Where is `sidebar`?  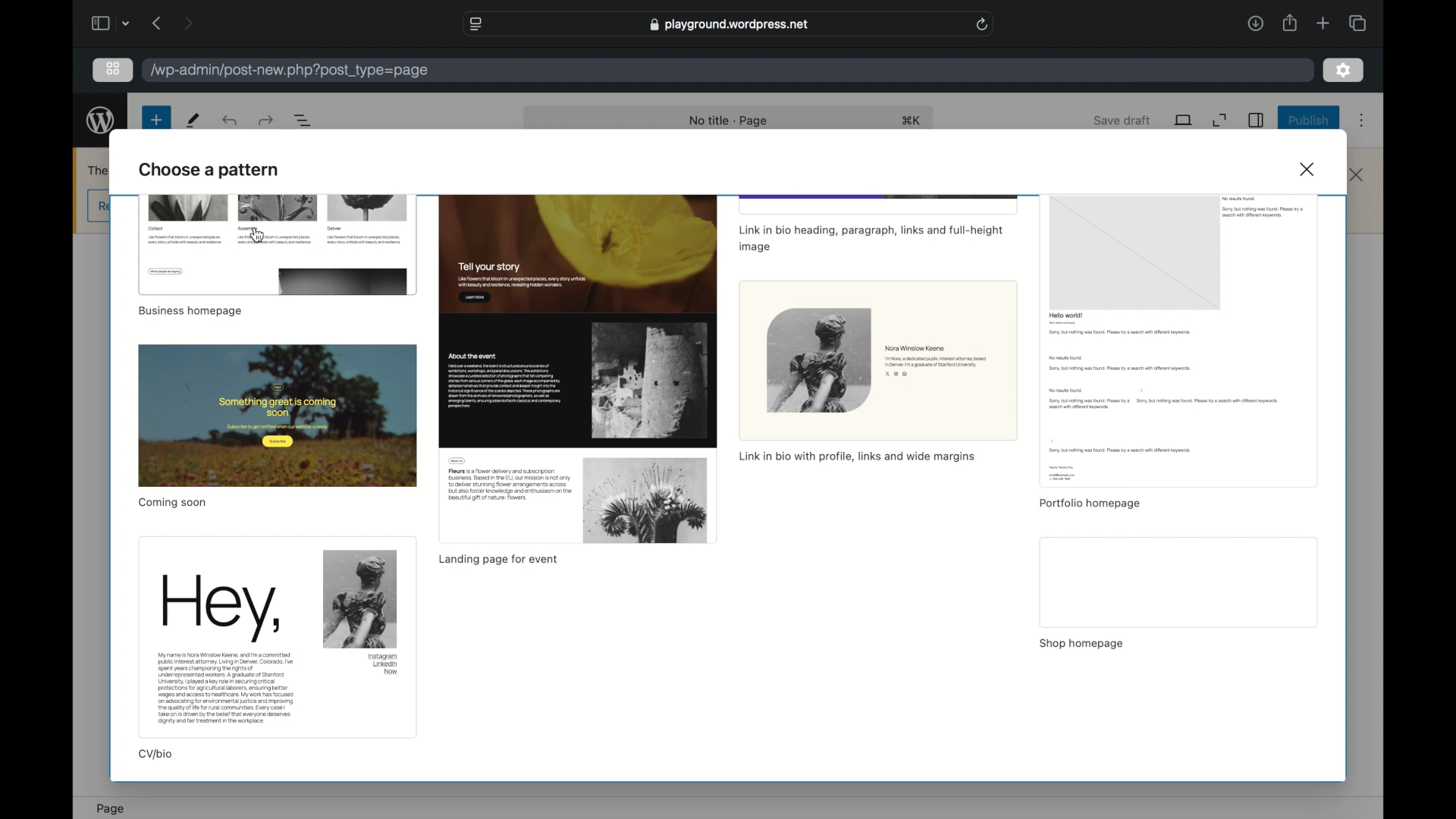
sidebar is located at coordinates (99, 23).